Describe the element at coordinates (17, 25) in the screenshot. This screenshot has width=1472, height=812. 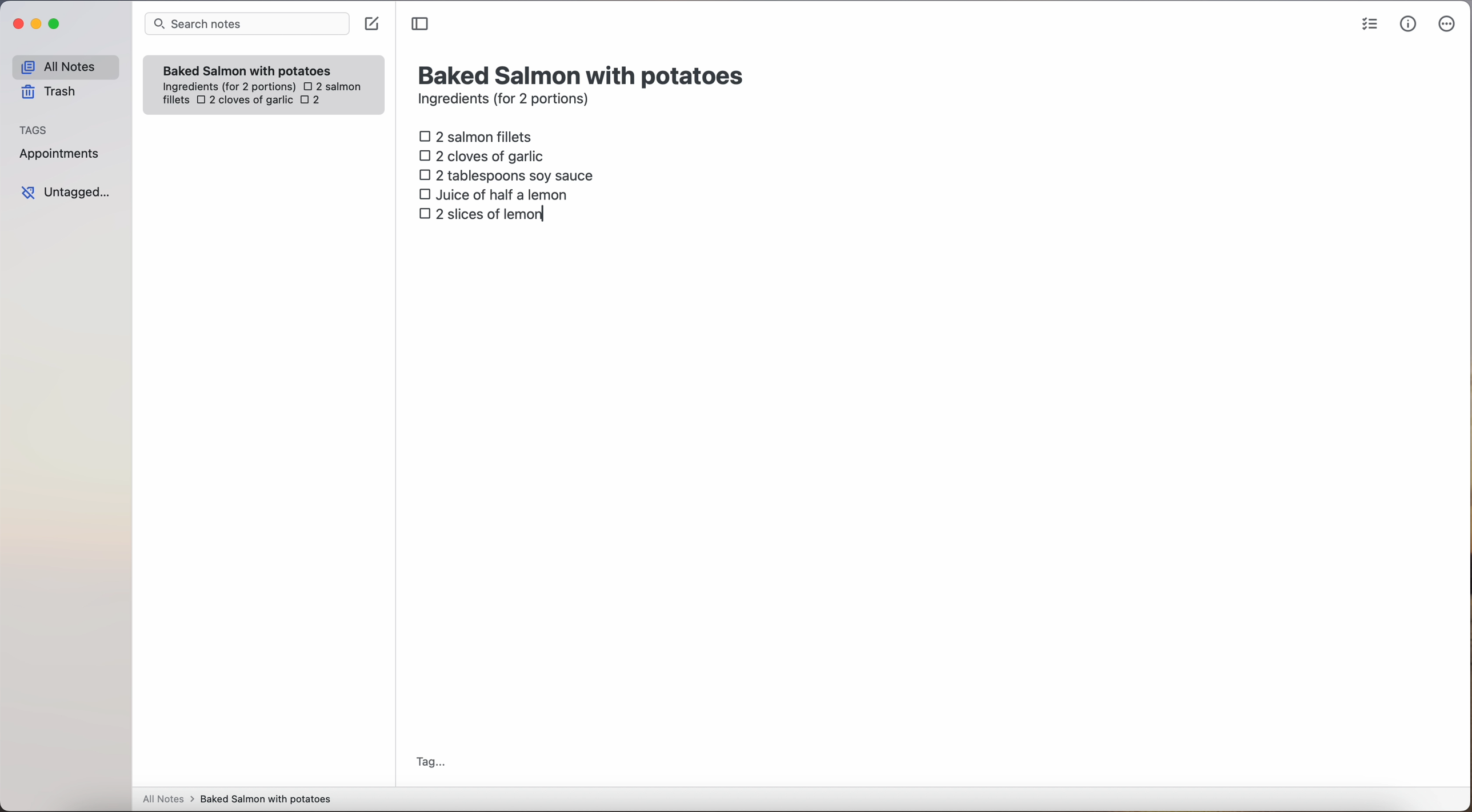
I see `close Simplenote` at that location.